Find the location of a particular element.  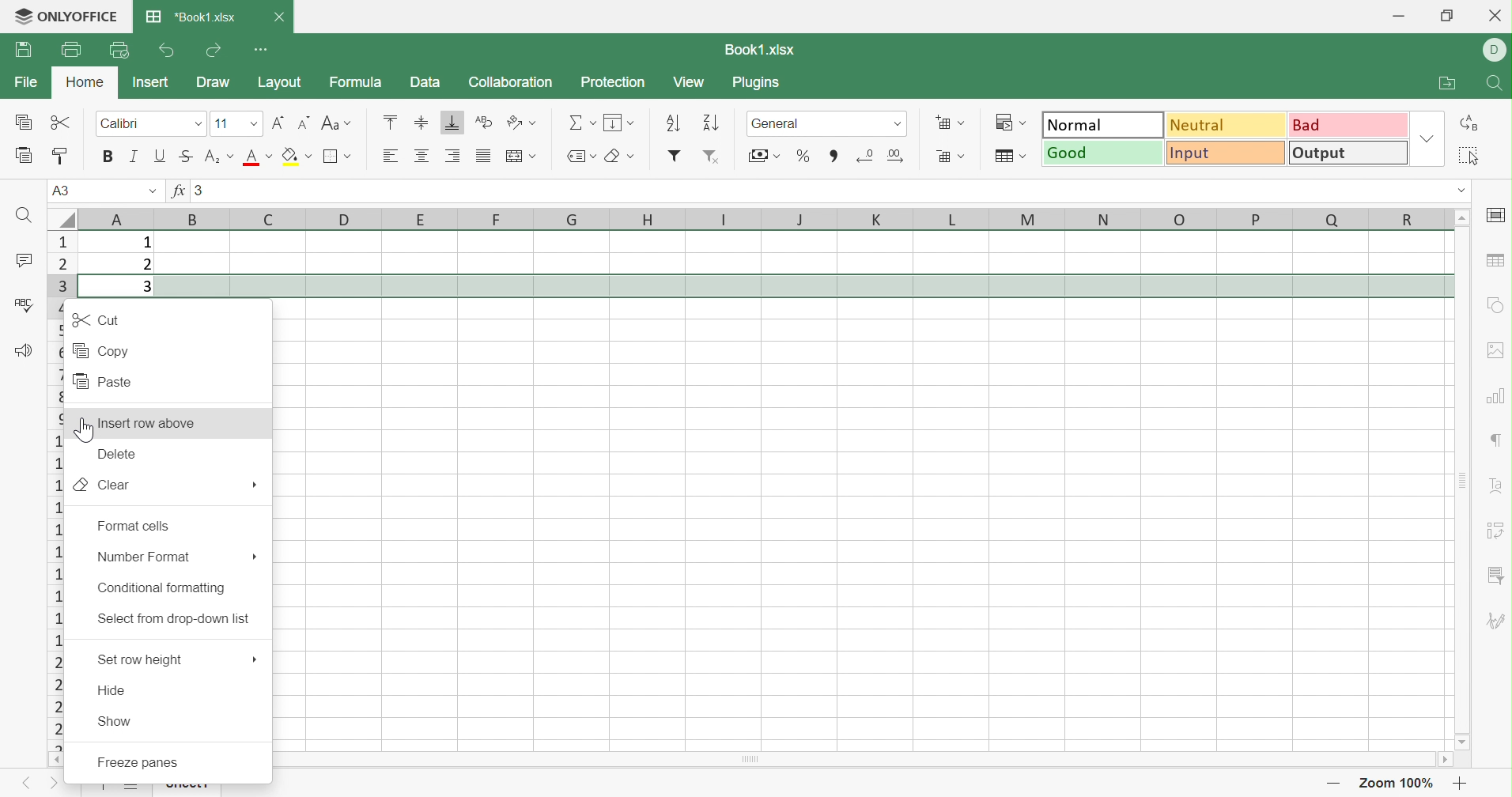

Format as table template is located at coordinates (1003, 153).